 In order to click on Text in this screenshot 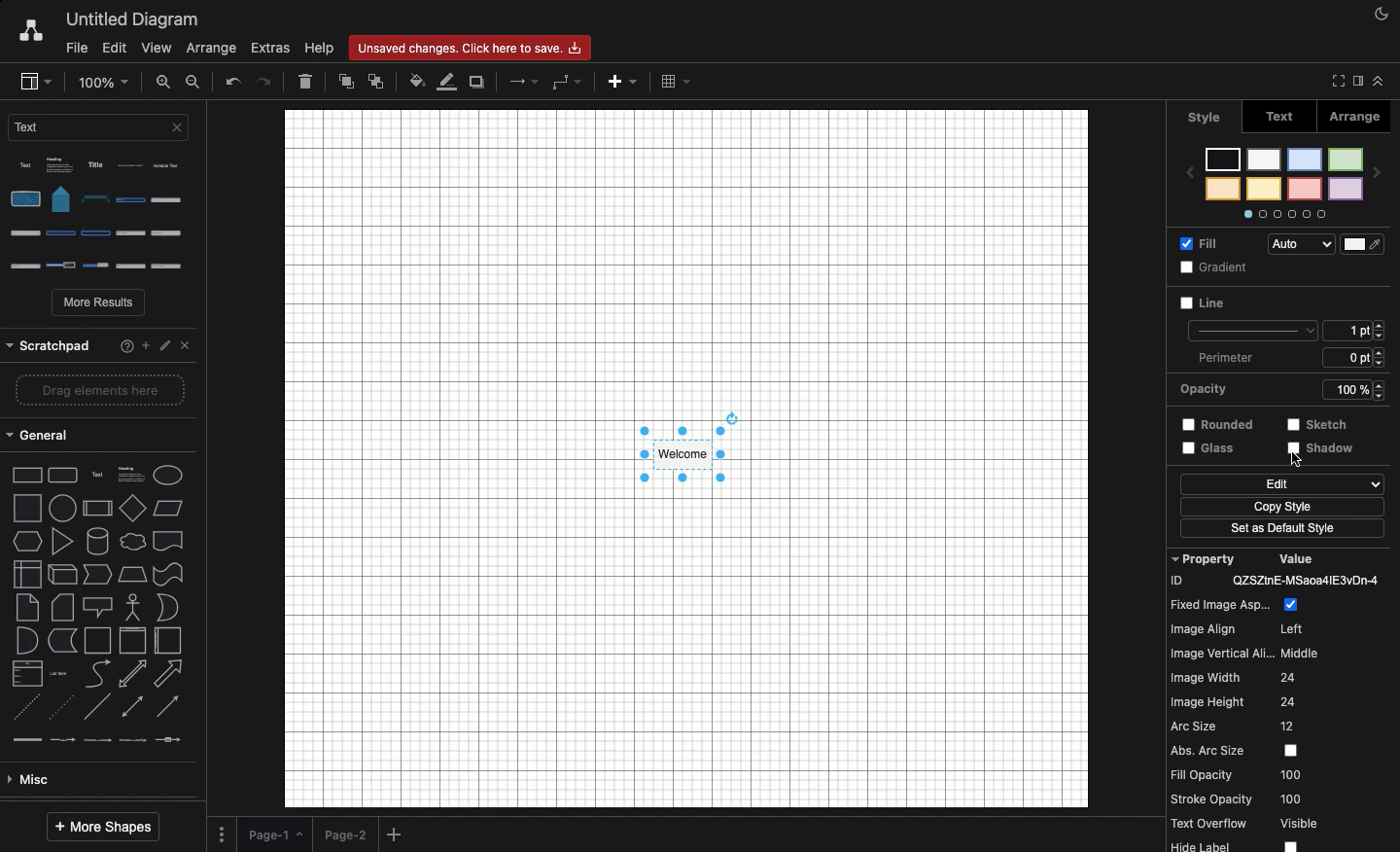, I will do `click(102, 132)`.